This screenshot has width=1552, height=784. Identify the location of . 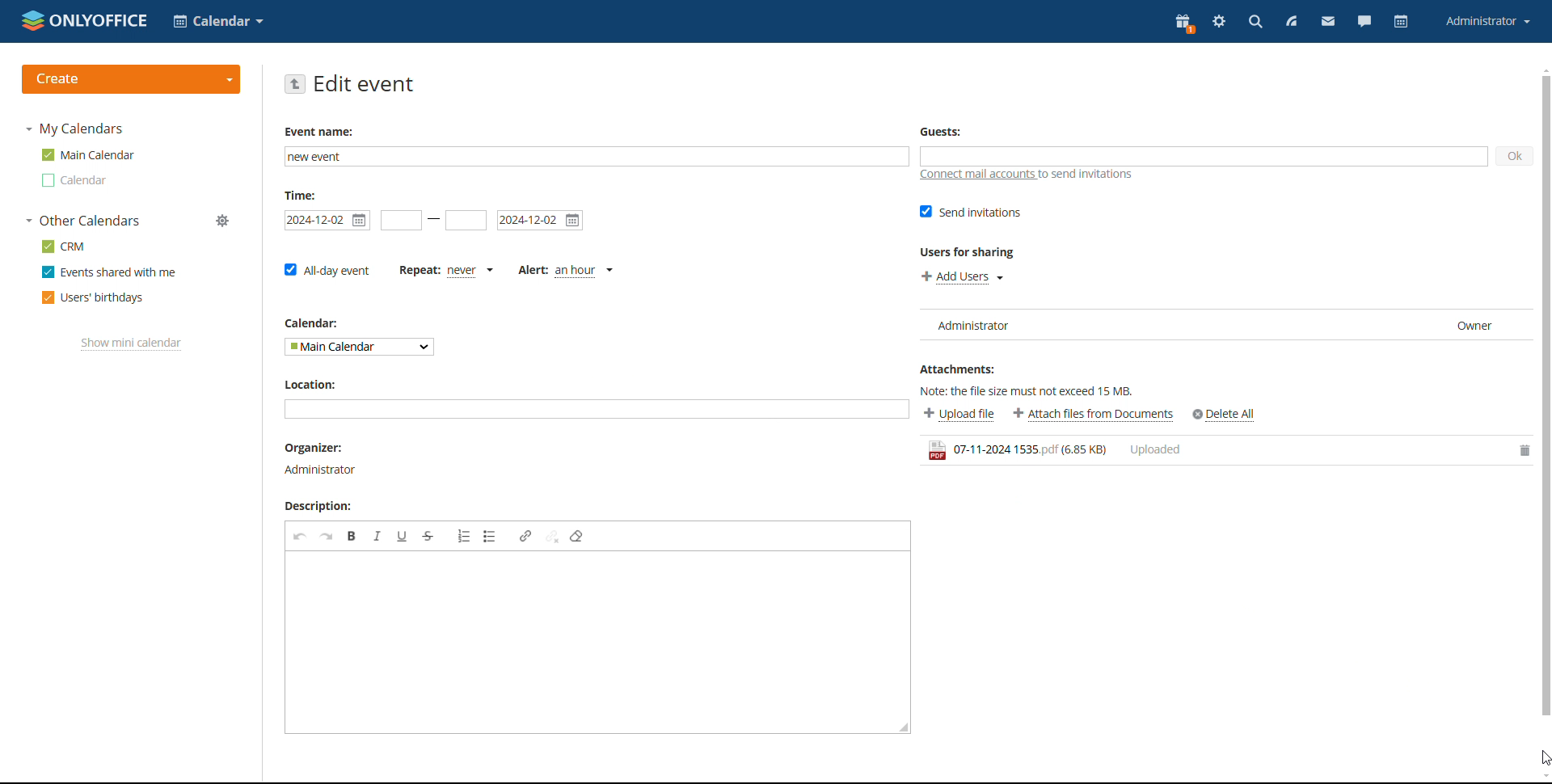
(1545, 759).